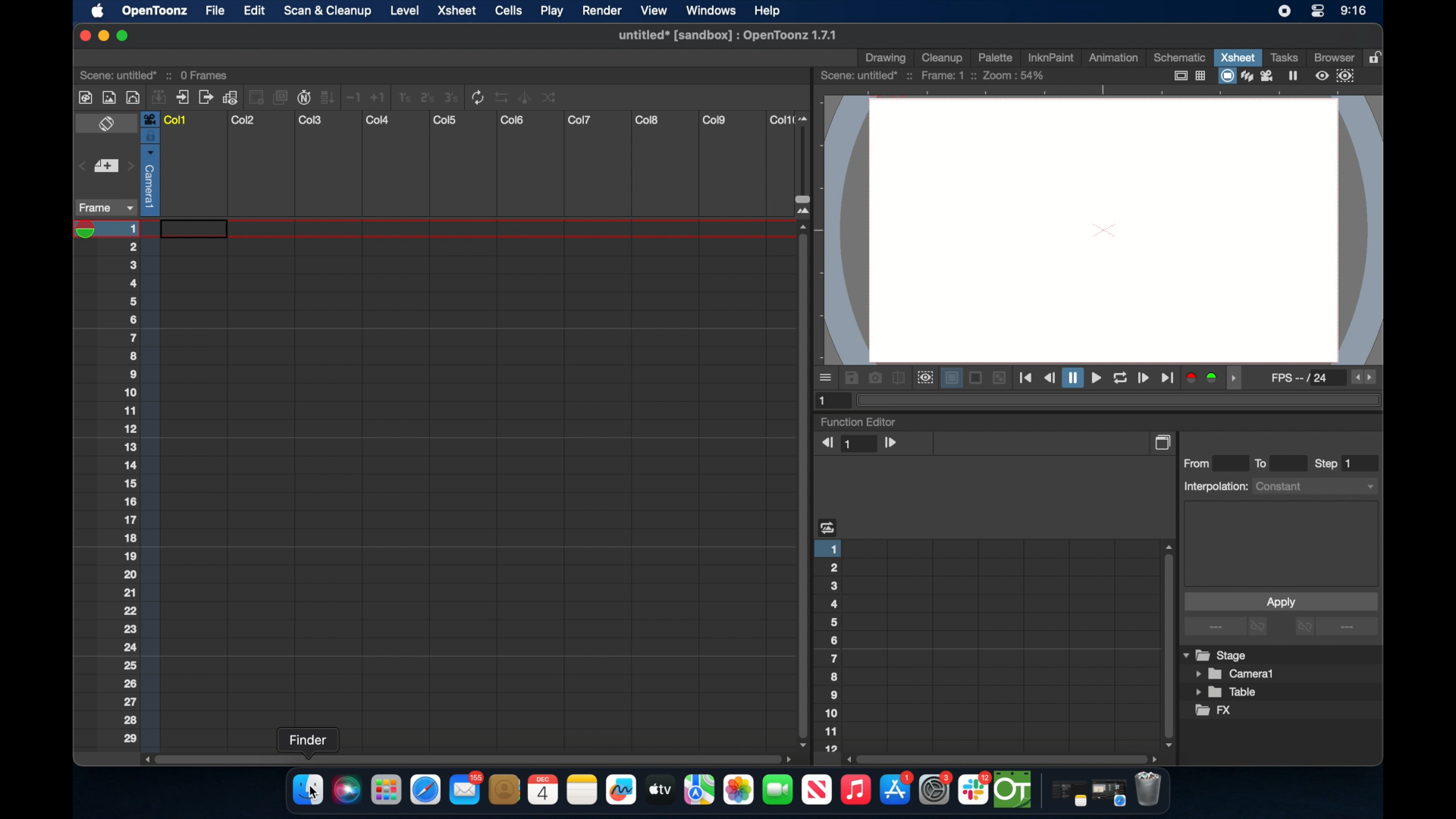 The width and height of the screenshot is (1456, 819). What do you see at coordinates (105, 167) in the screenshot?
I see `set` at bounding box center [105, 167].